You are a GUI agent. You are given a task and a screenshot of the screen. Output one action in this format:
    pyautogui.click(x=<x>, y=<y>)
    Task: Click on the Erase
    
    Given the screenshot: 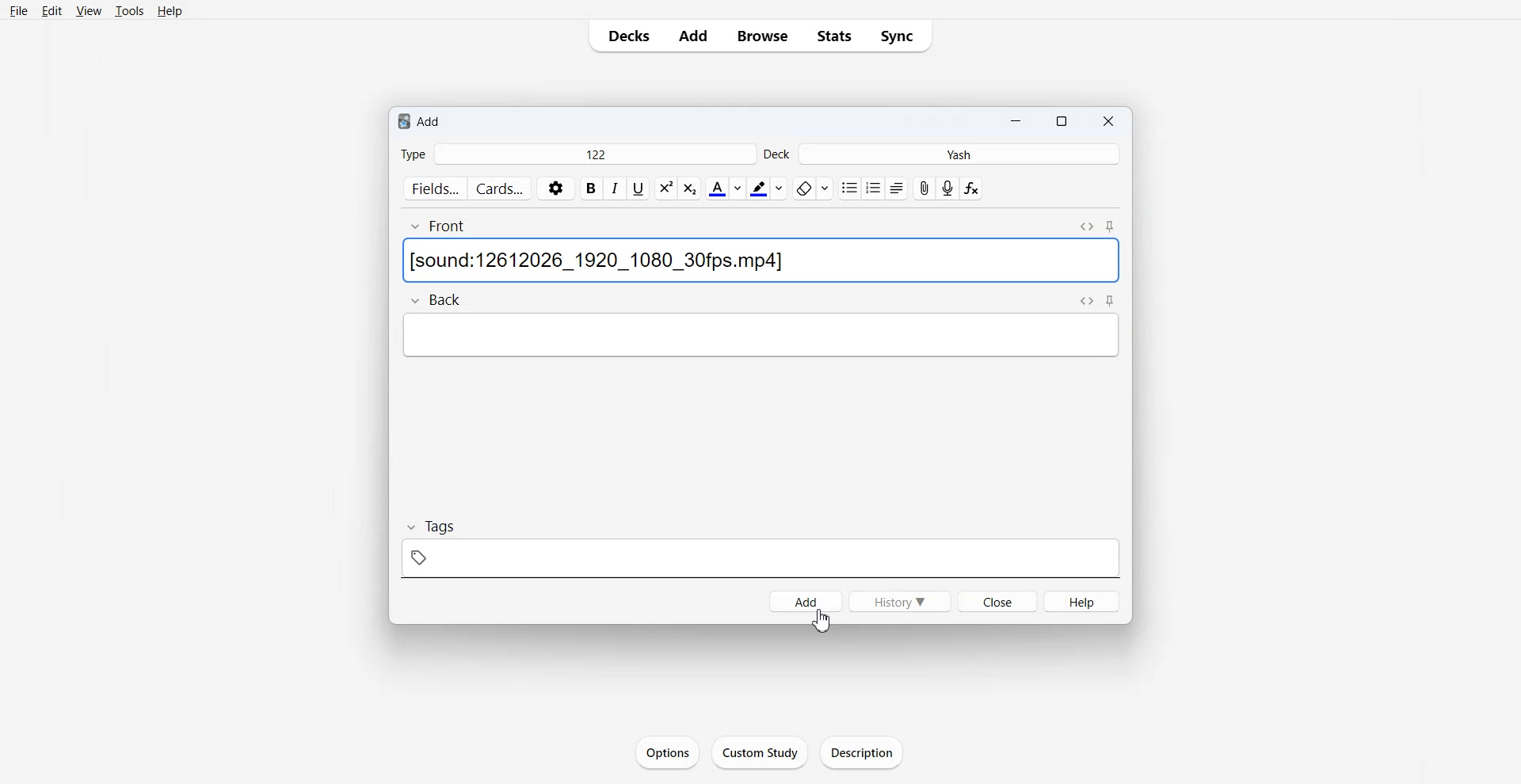 What is the action you would take?
    pyautogui.click(x=813, y=188)
    